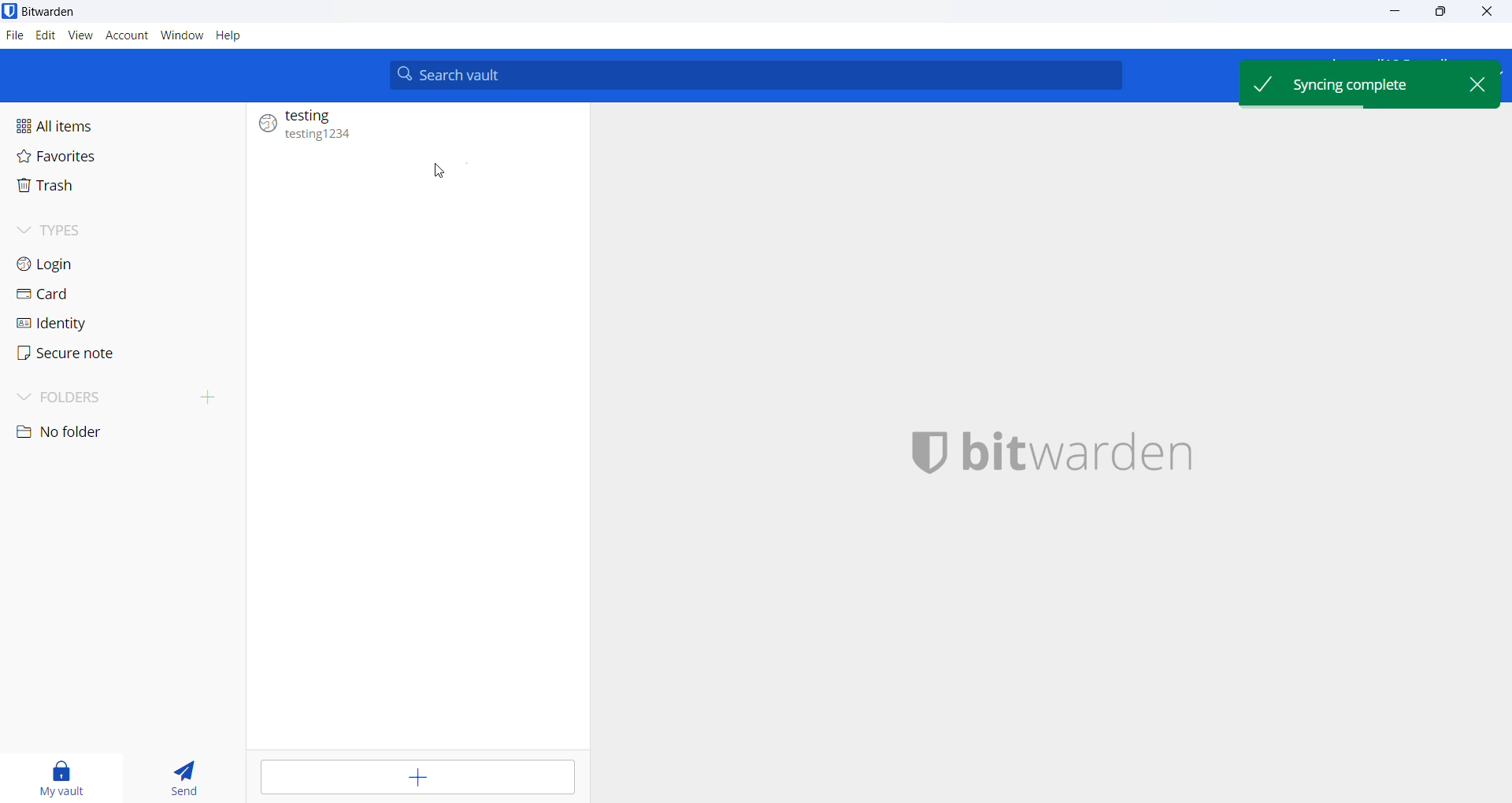  I want to click on testing (entry ), so click(414, 126).